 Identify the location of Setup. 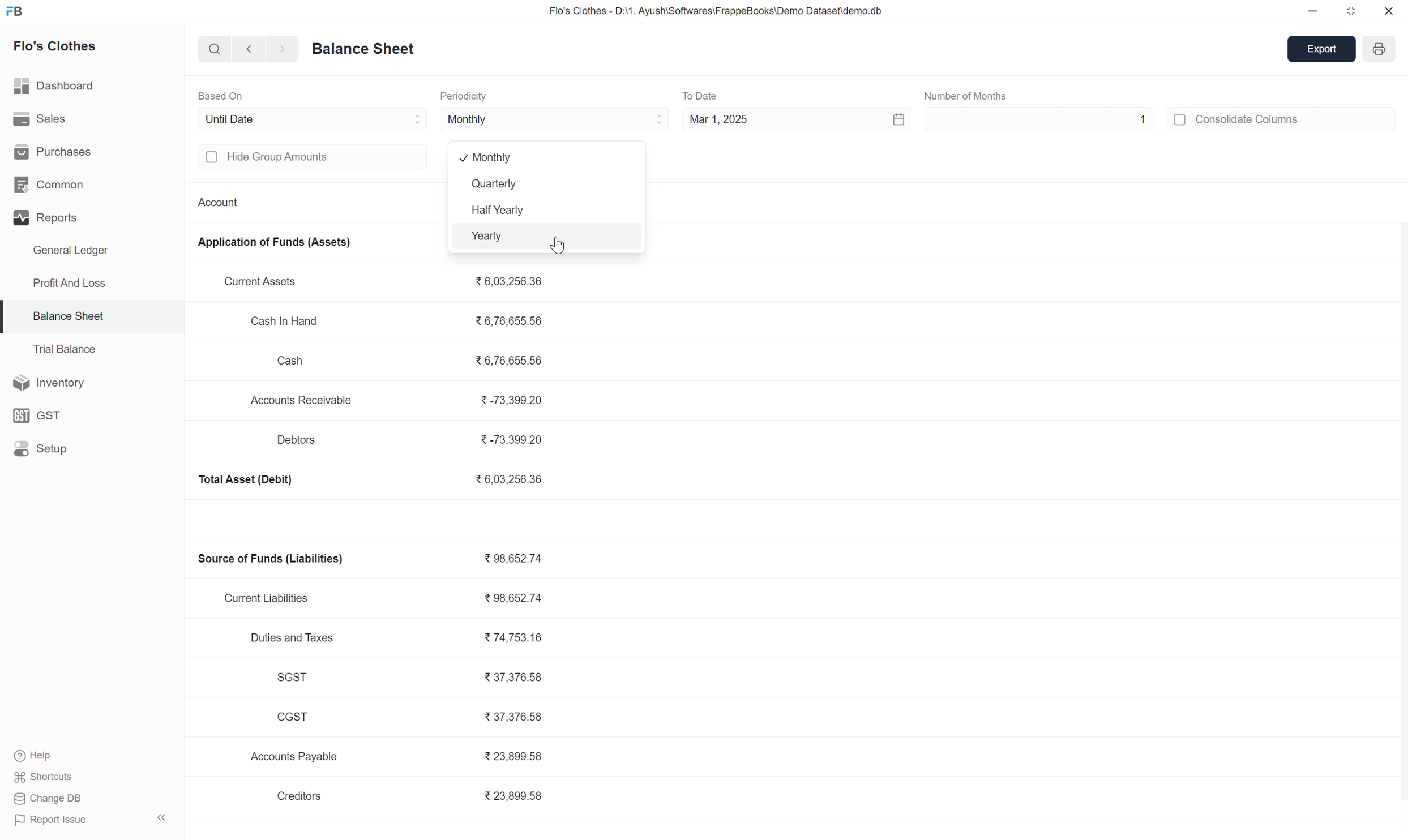
(45, 448).